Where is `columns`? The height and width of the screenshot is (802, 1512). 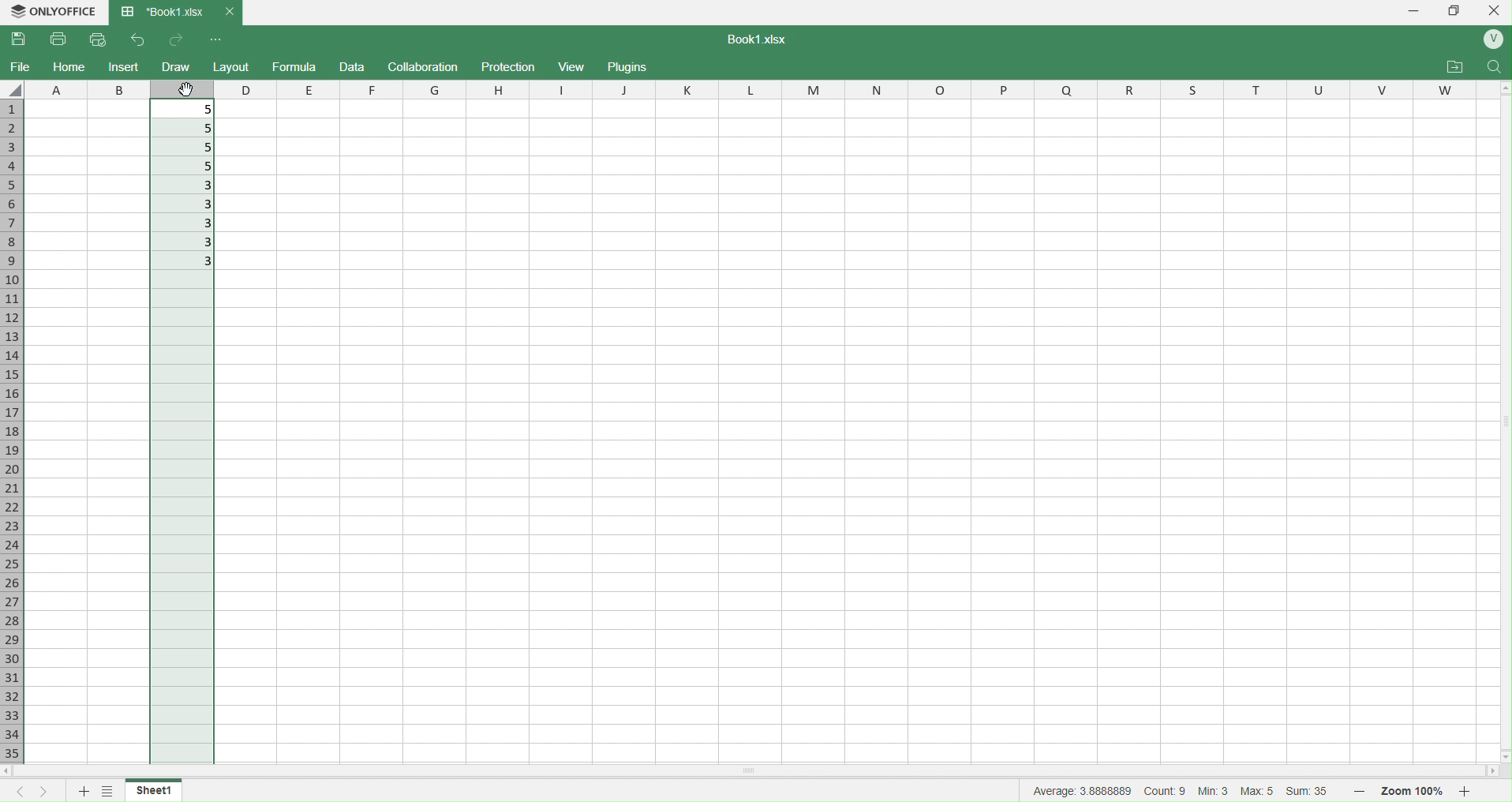
columns is located at coordinates (849, 88).